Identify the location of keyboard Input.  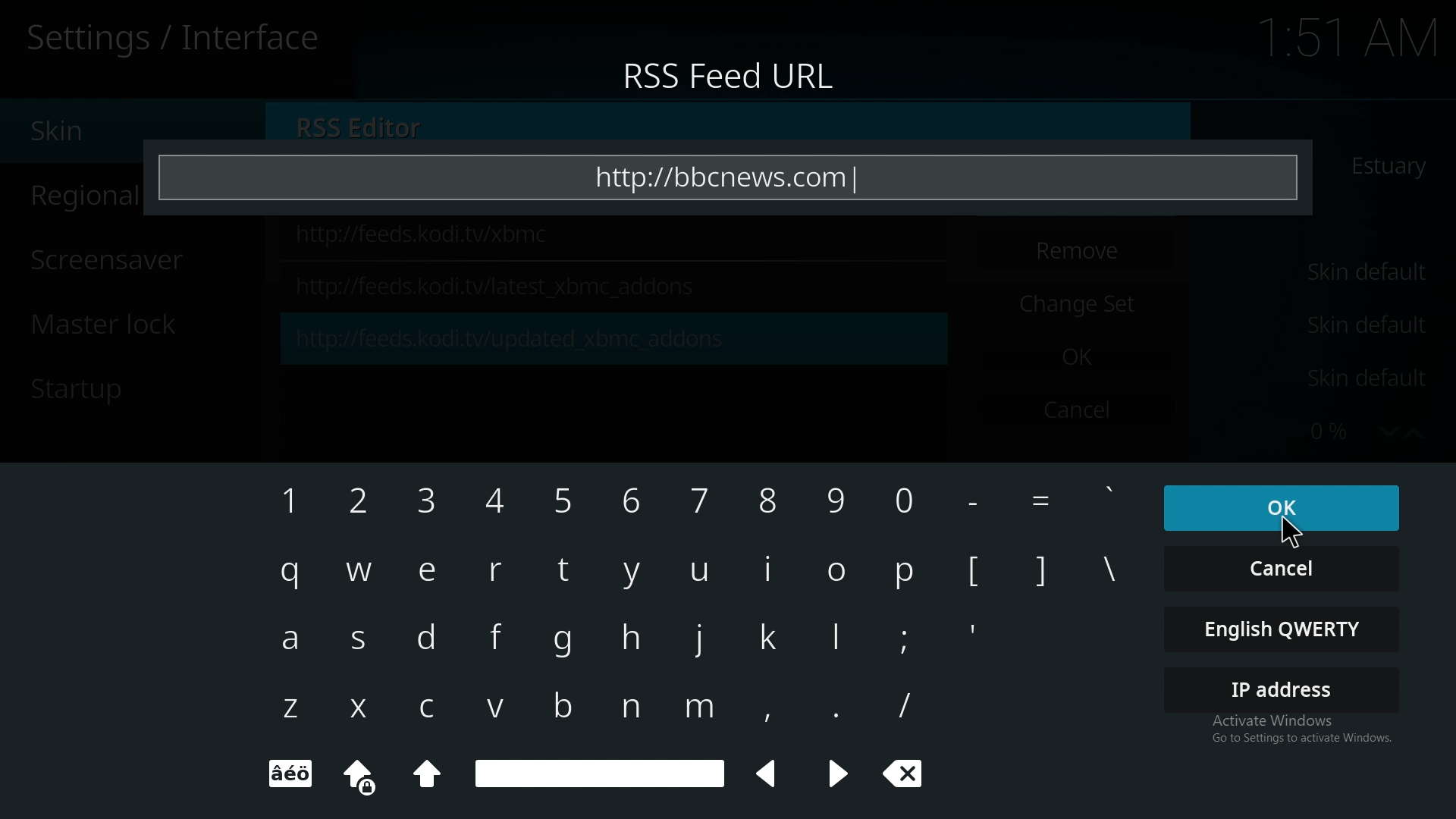
(632, 704).